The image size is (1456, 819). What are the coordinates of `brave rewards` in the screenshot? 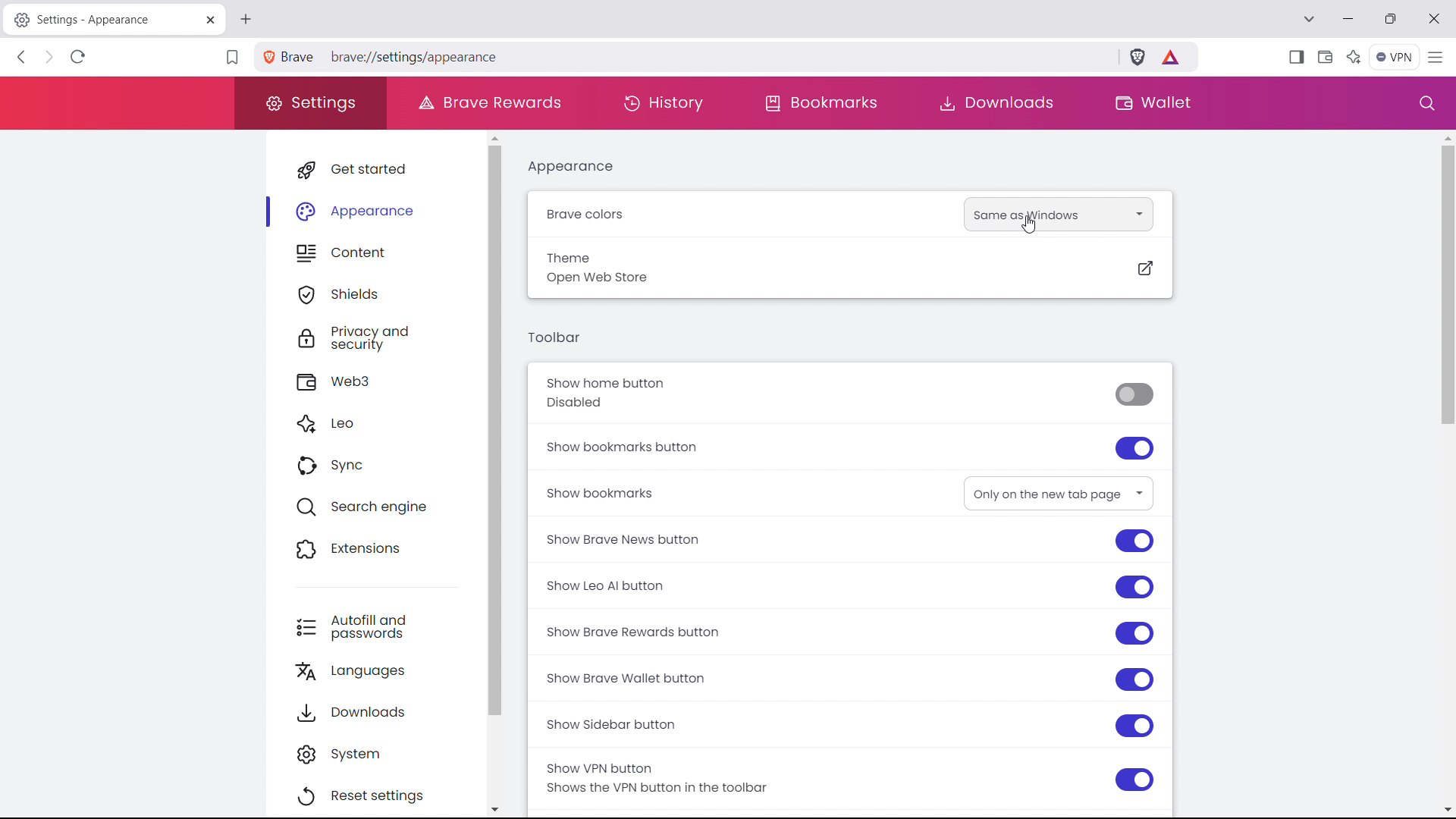 It's located at (489, 102).